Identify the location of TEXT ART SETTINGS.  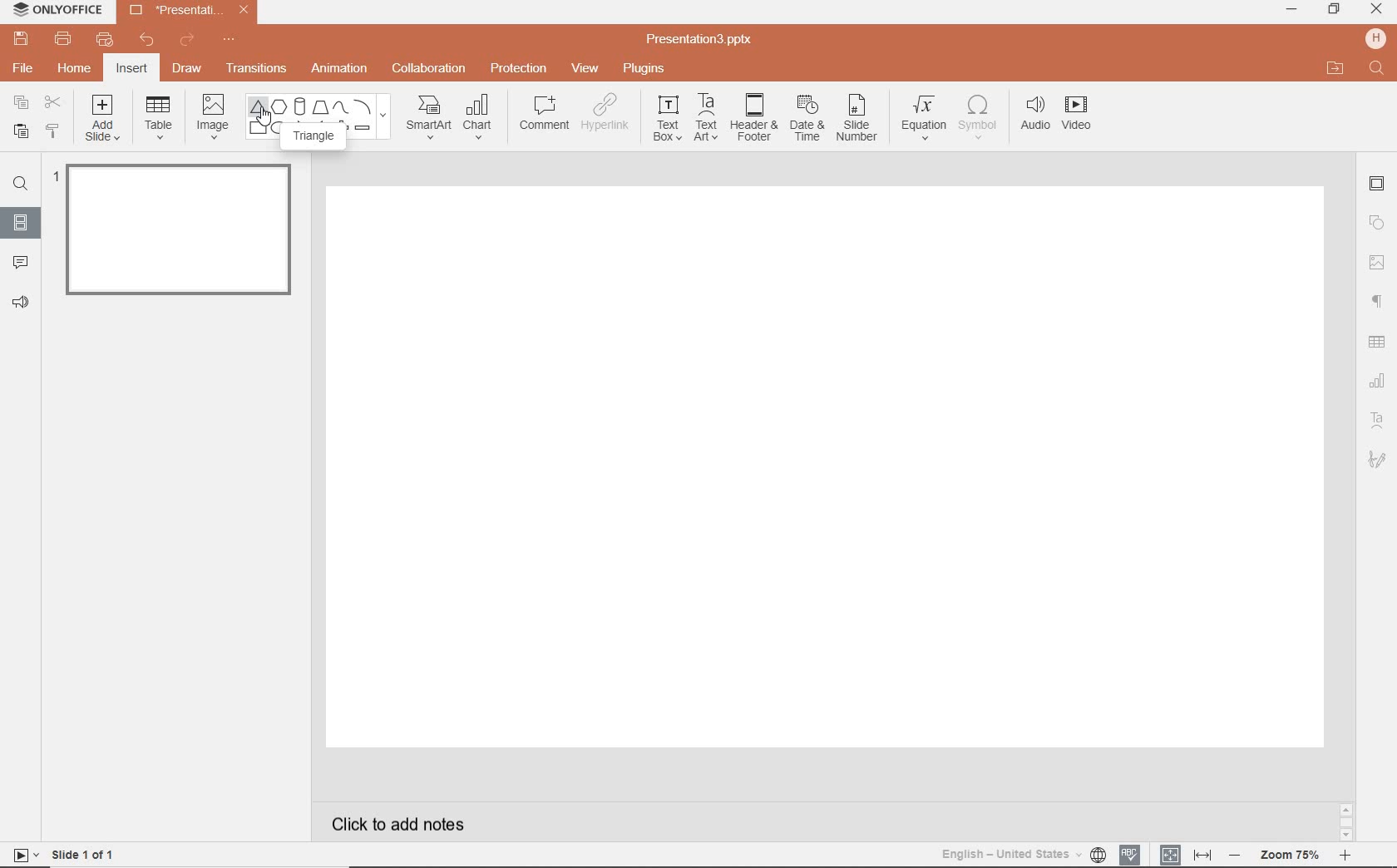
(1378, 422).